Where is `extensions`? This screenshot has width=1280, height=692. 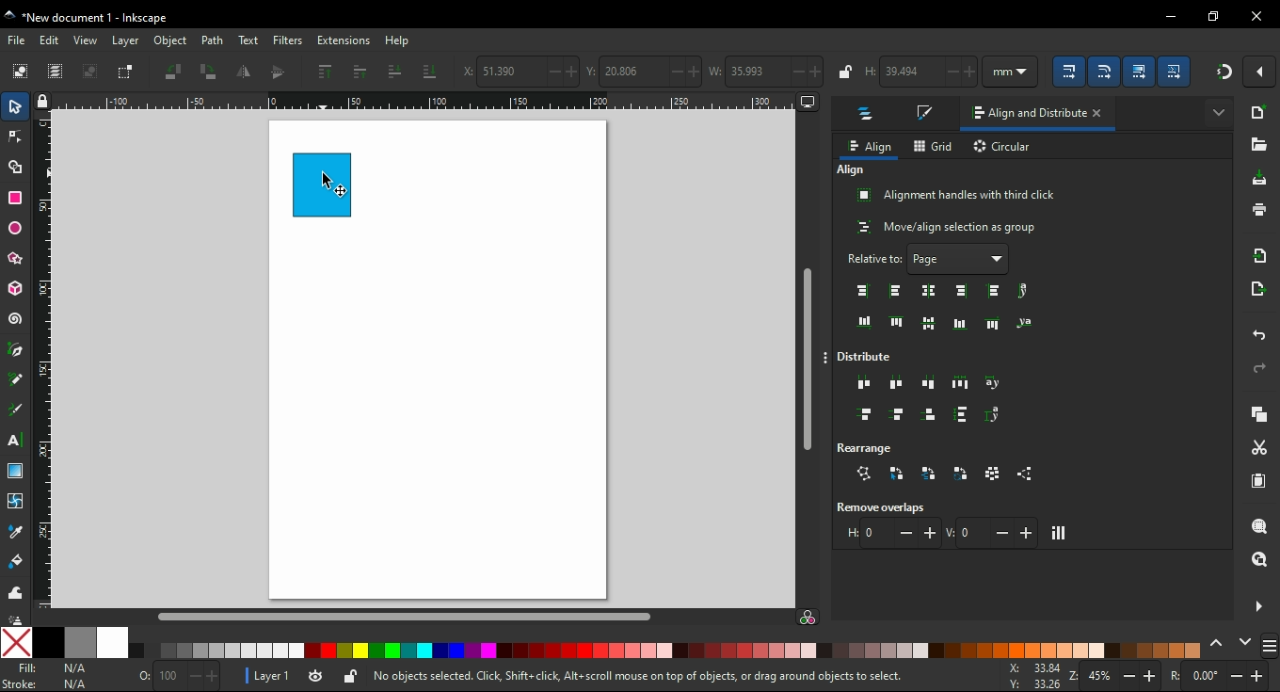
extensions is located at coordinates (344, 40).